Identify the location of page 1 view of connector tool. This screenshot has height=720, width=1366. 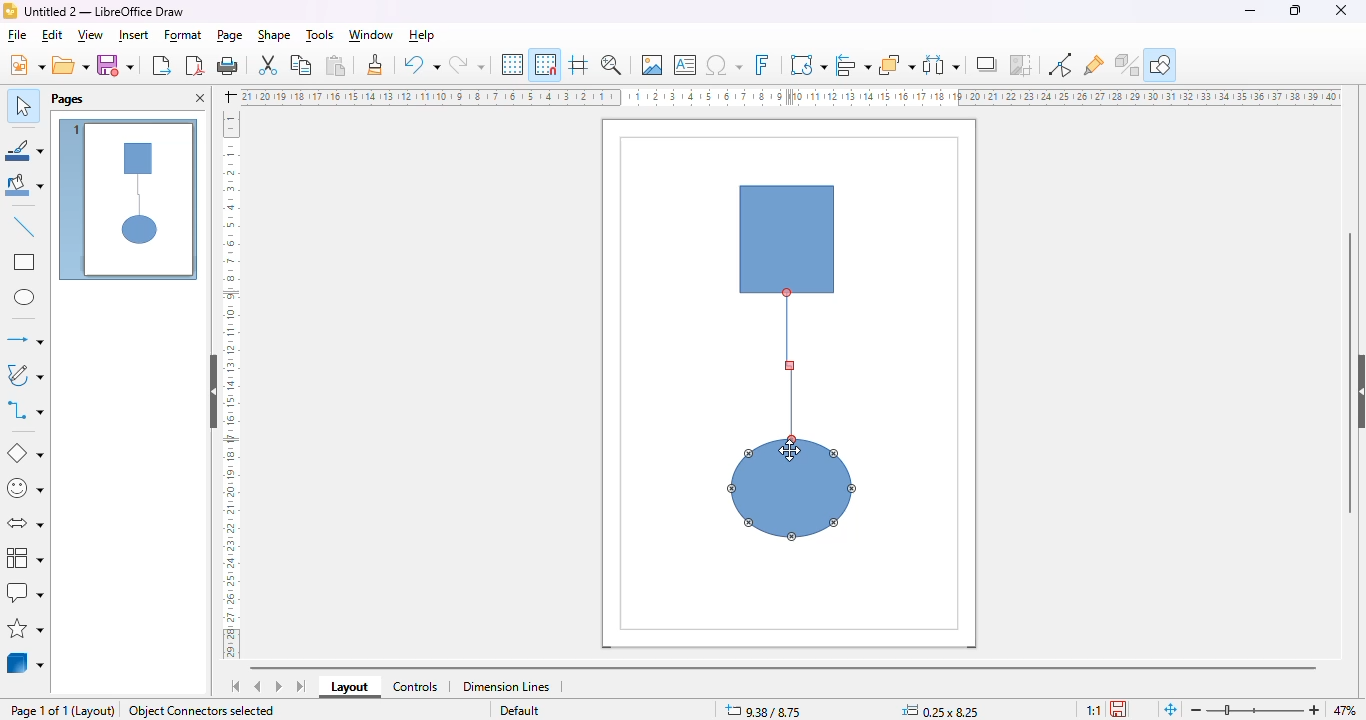
(129, 201).